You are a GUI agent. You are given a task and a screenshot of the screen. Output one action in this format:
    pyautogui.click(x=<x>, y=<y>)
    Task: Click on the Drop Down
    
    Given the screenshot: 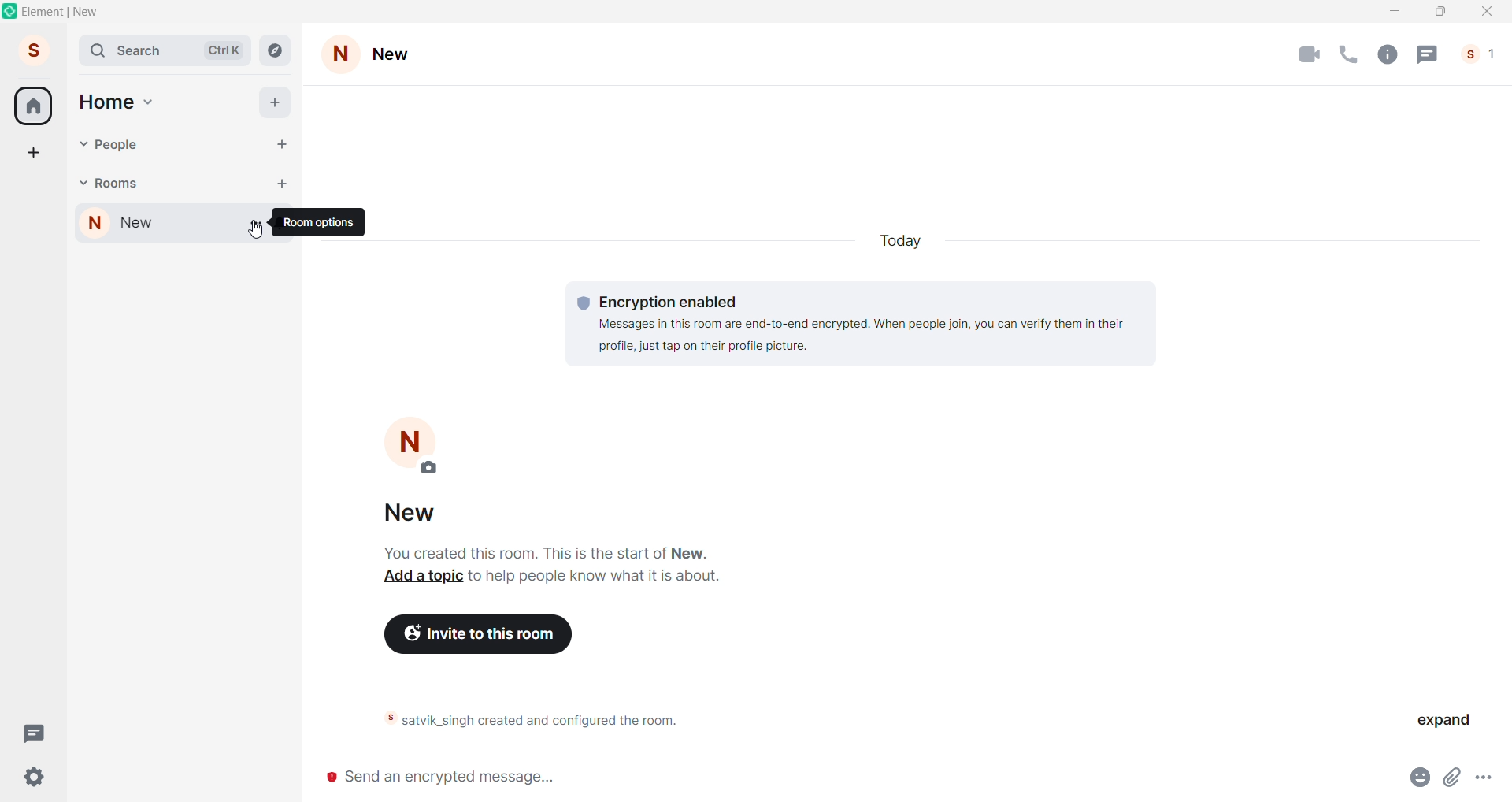 What is the action you would take?
    pyautogui.click(x=258, y=227)
    